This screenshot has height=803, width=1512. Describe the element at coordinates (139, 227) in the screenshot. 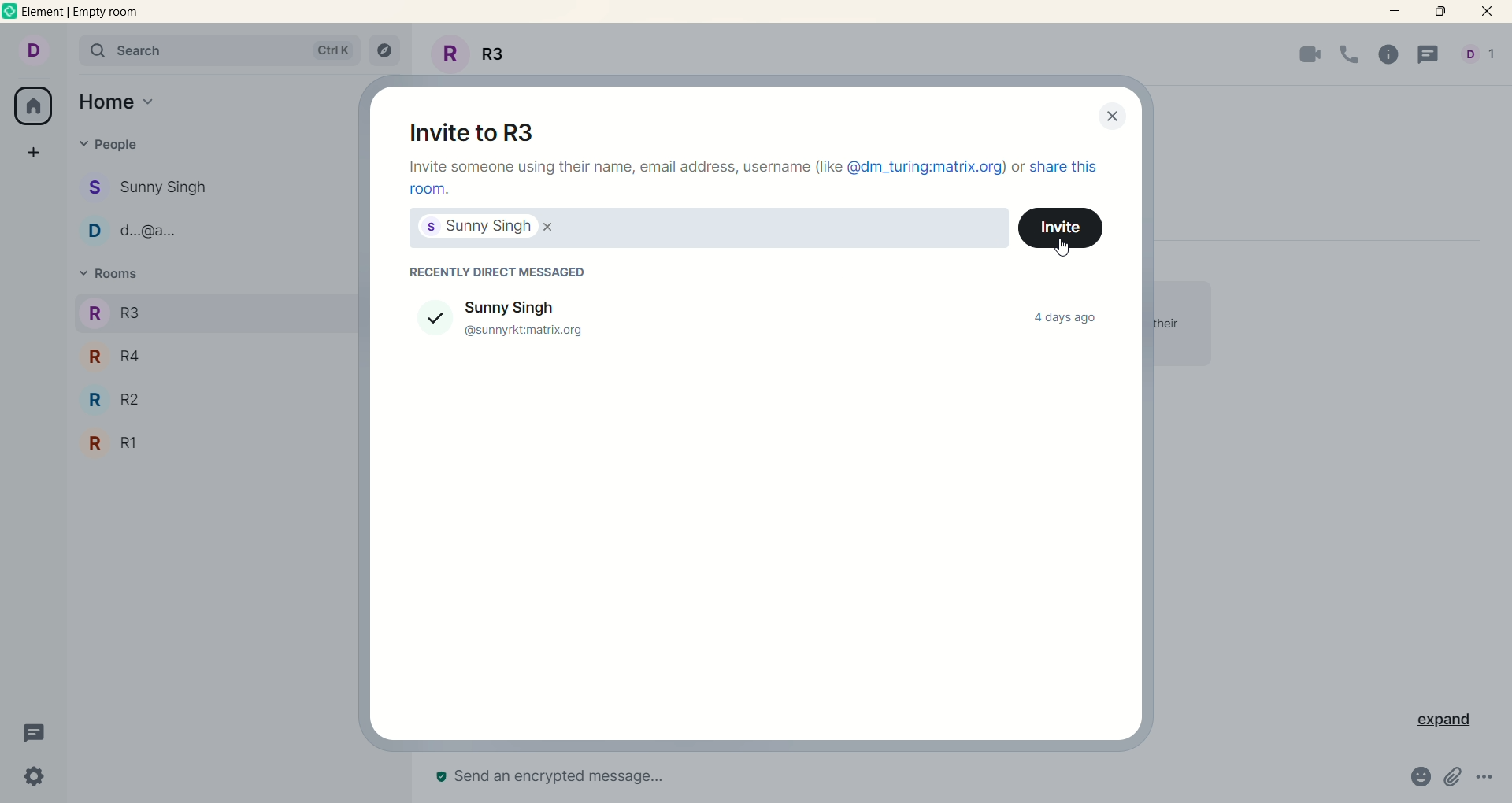

I see `D d..>@g..` at that location.